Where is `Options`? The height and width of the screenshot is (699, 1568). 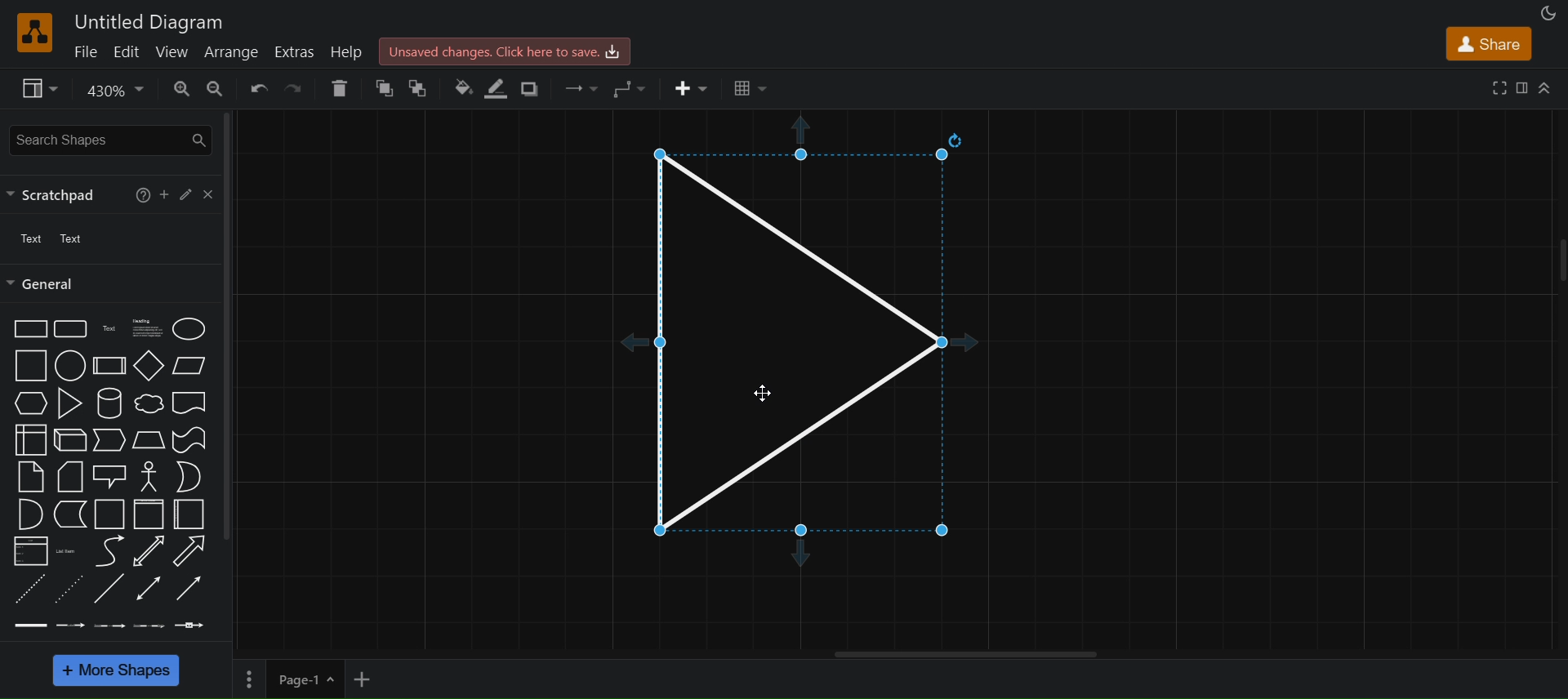 Options is located at coordinates (250, 676).